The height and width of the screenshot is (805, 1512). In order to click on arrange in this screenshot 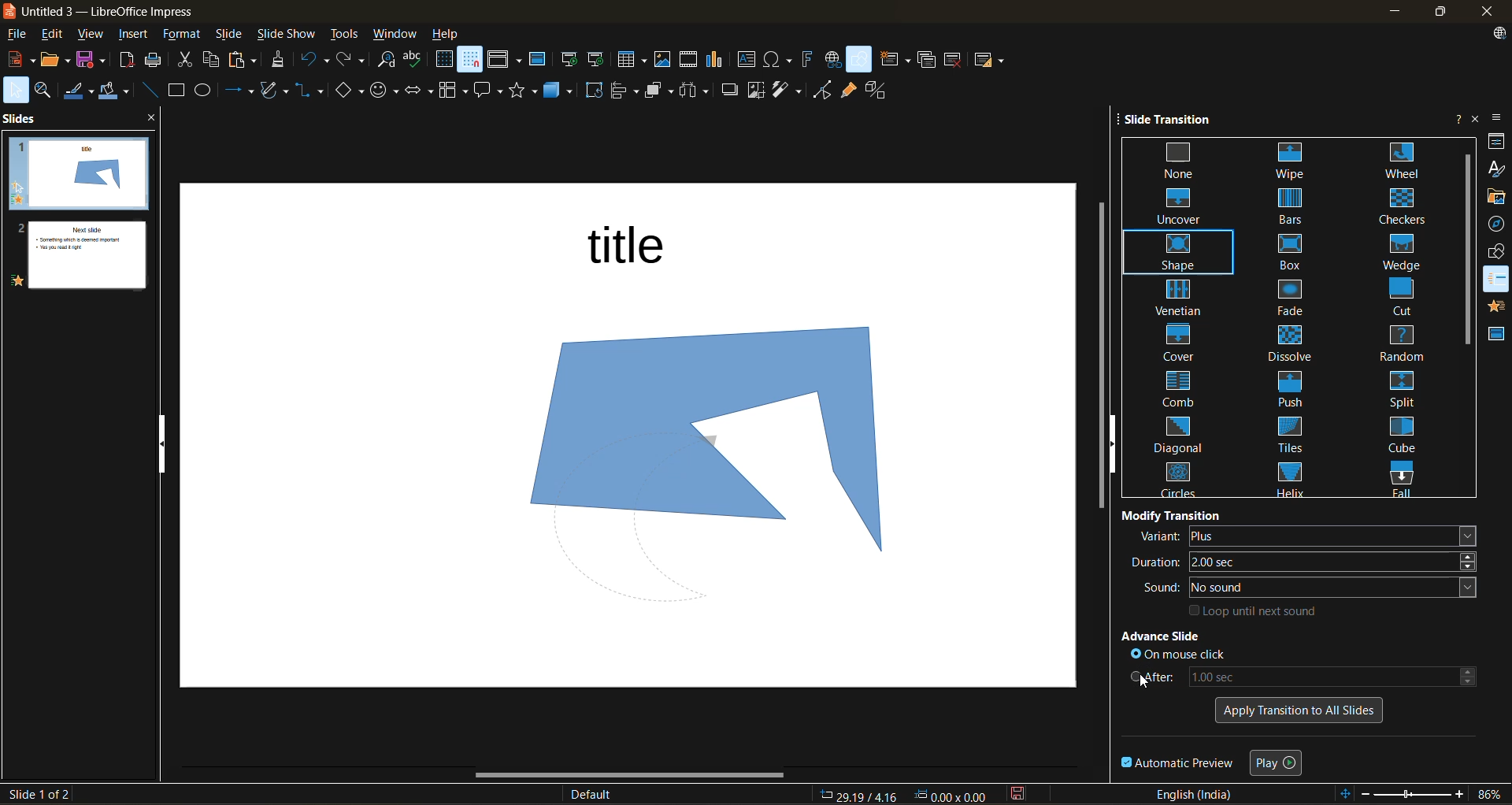, I will do `click(660, 92)`.